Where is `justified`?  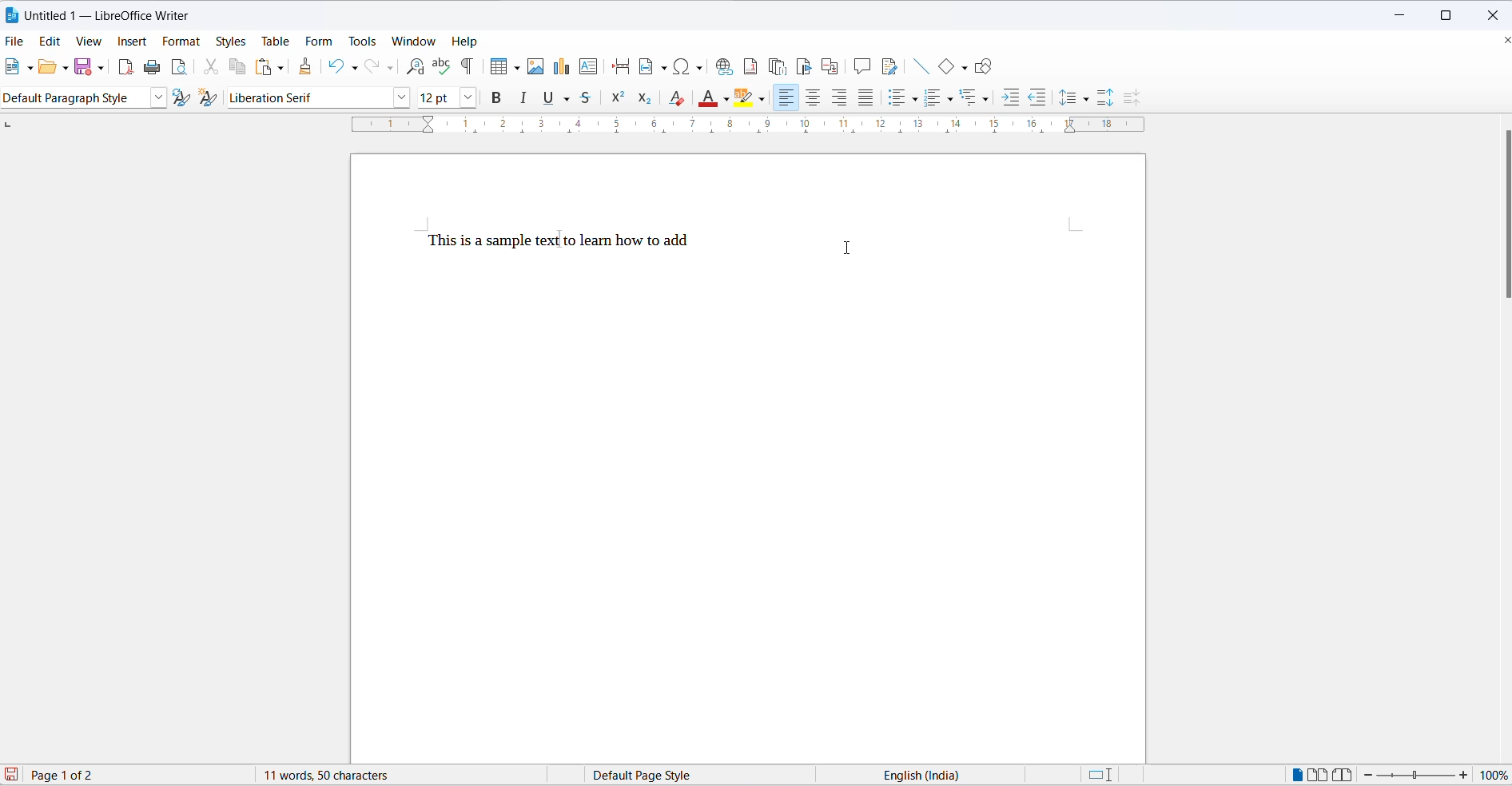 justified is located at coordinates (864, 97).